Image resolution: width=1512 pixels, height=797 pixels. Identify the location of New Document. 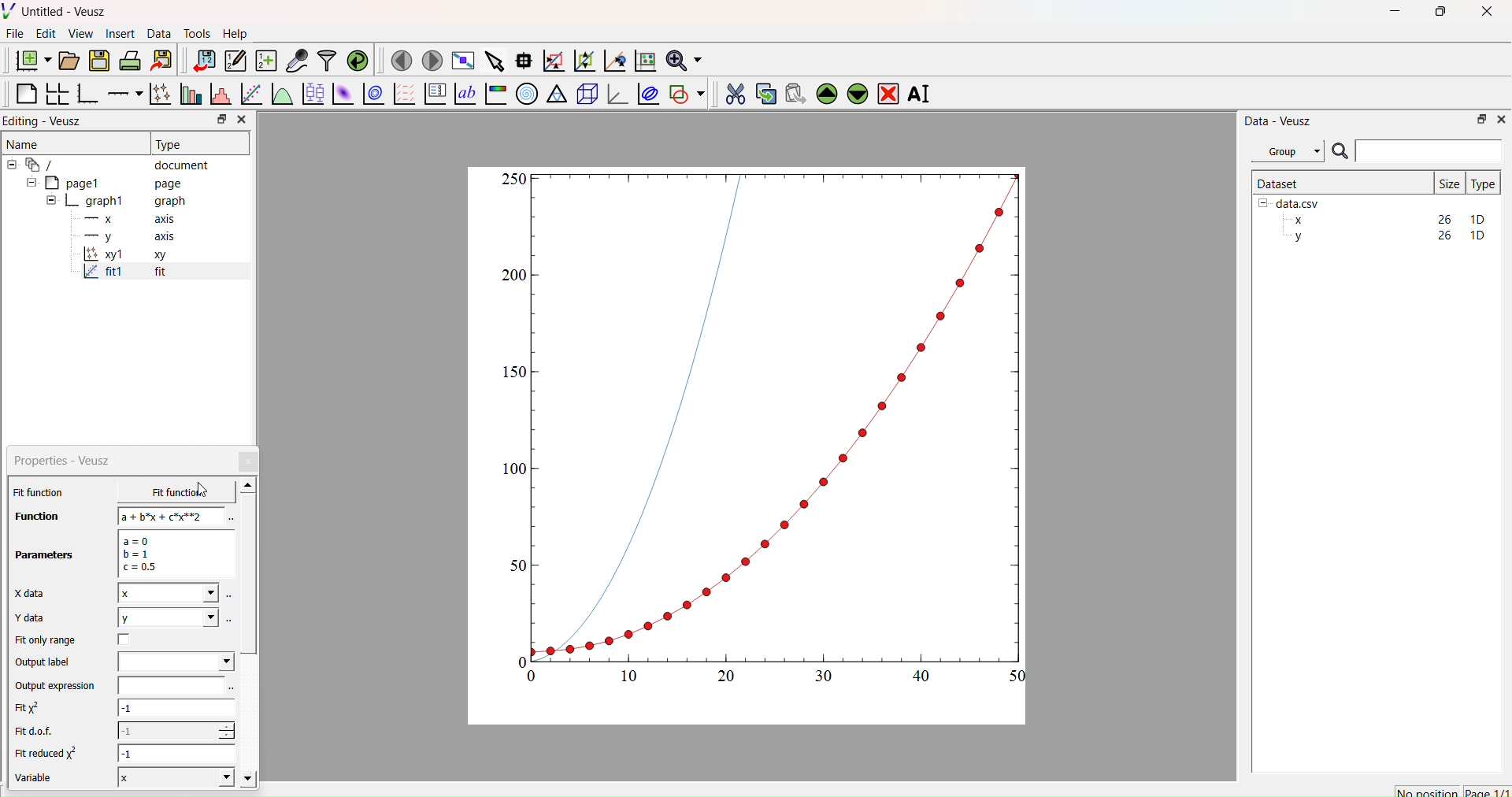
(29, 58).